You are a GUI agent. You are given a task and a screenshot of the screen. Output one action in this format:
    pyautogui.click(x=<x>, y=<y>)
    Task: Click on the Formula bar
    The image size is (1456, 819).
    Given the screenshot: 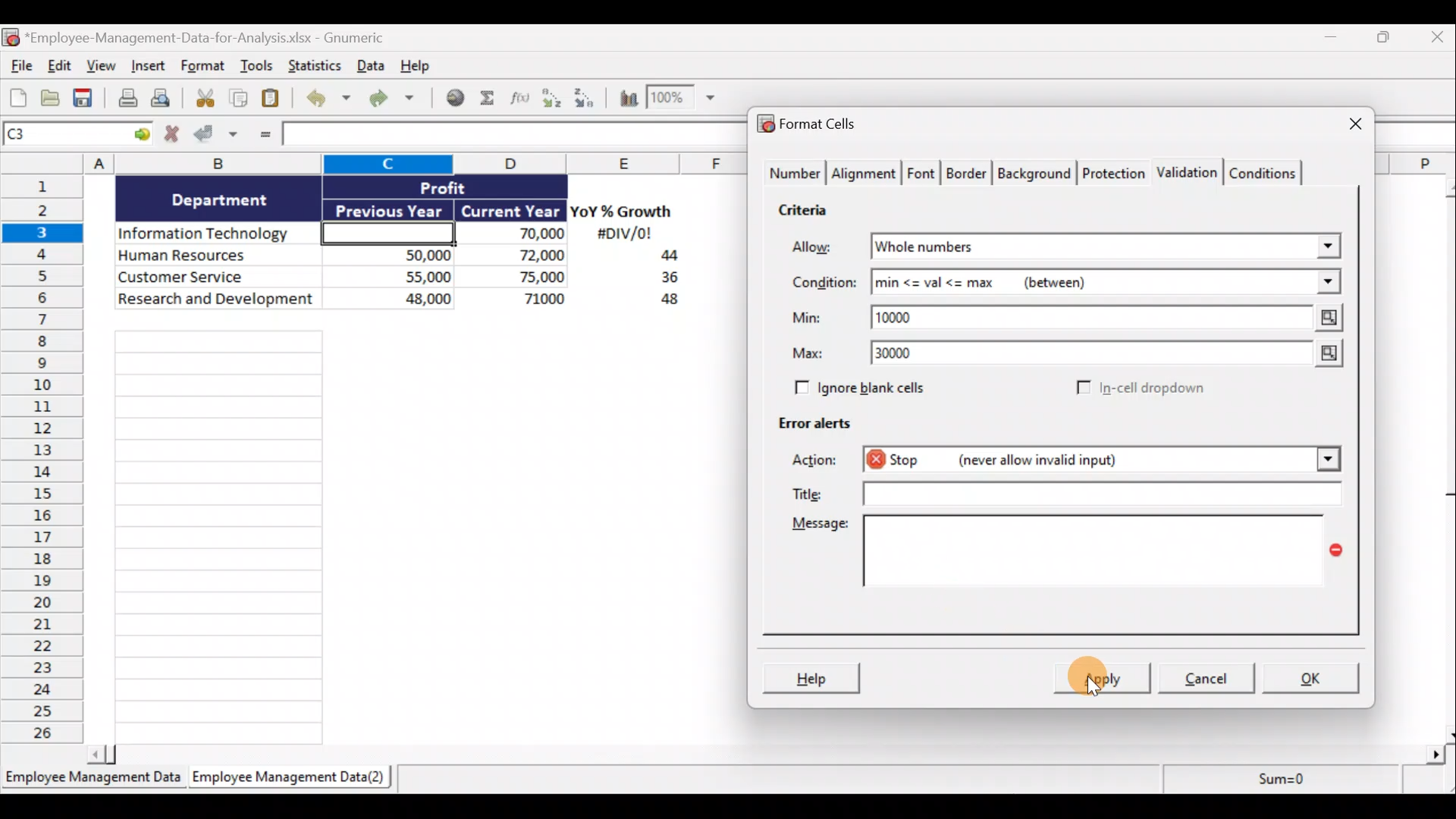 What is the action you would take?
    pyautogui.click(x=510, y=136)
    